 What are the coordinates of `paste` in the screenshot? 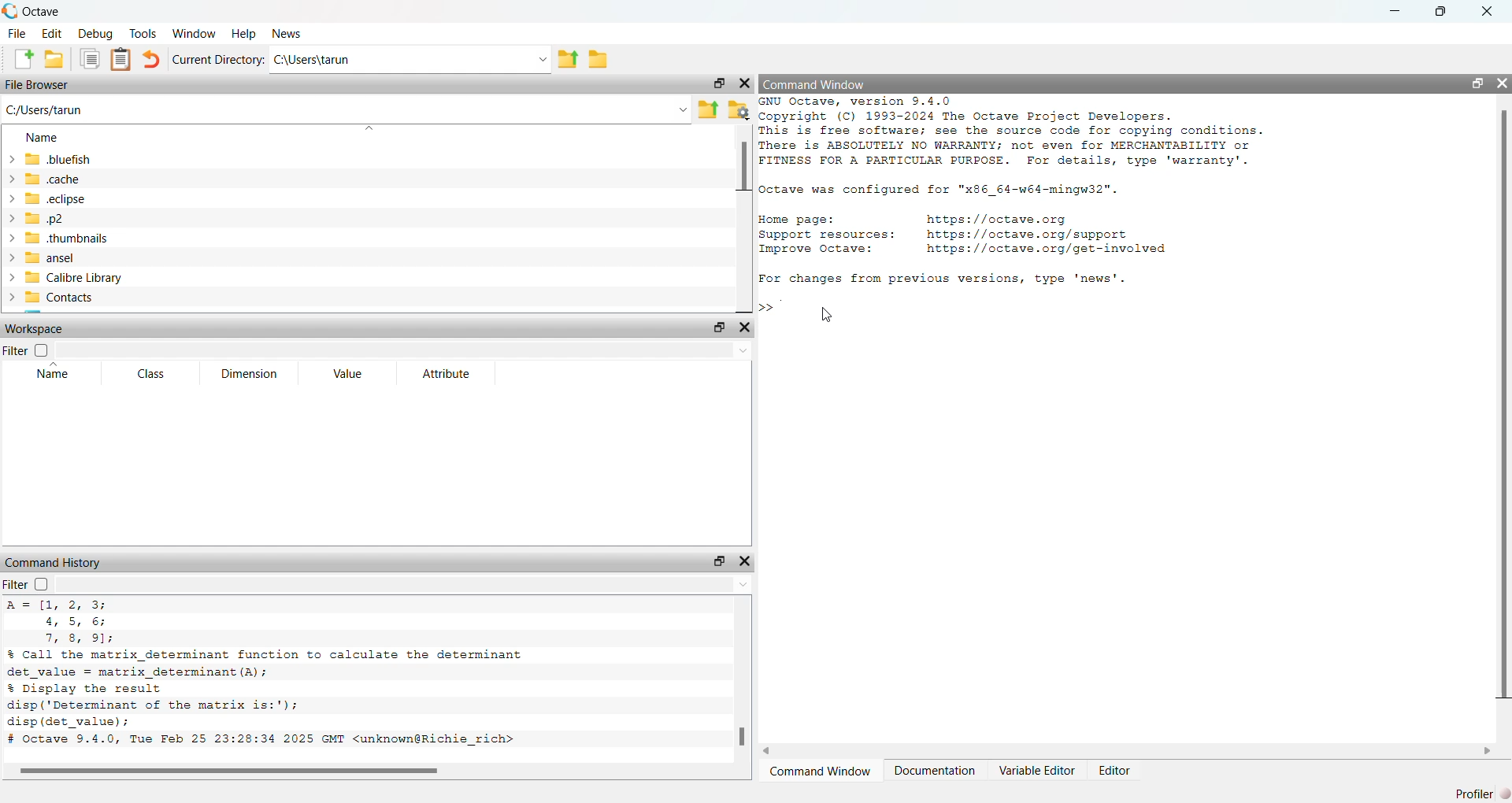 It's located at (120, 60).